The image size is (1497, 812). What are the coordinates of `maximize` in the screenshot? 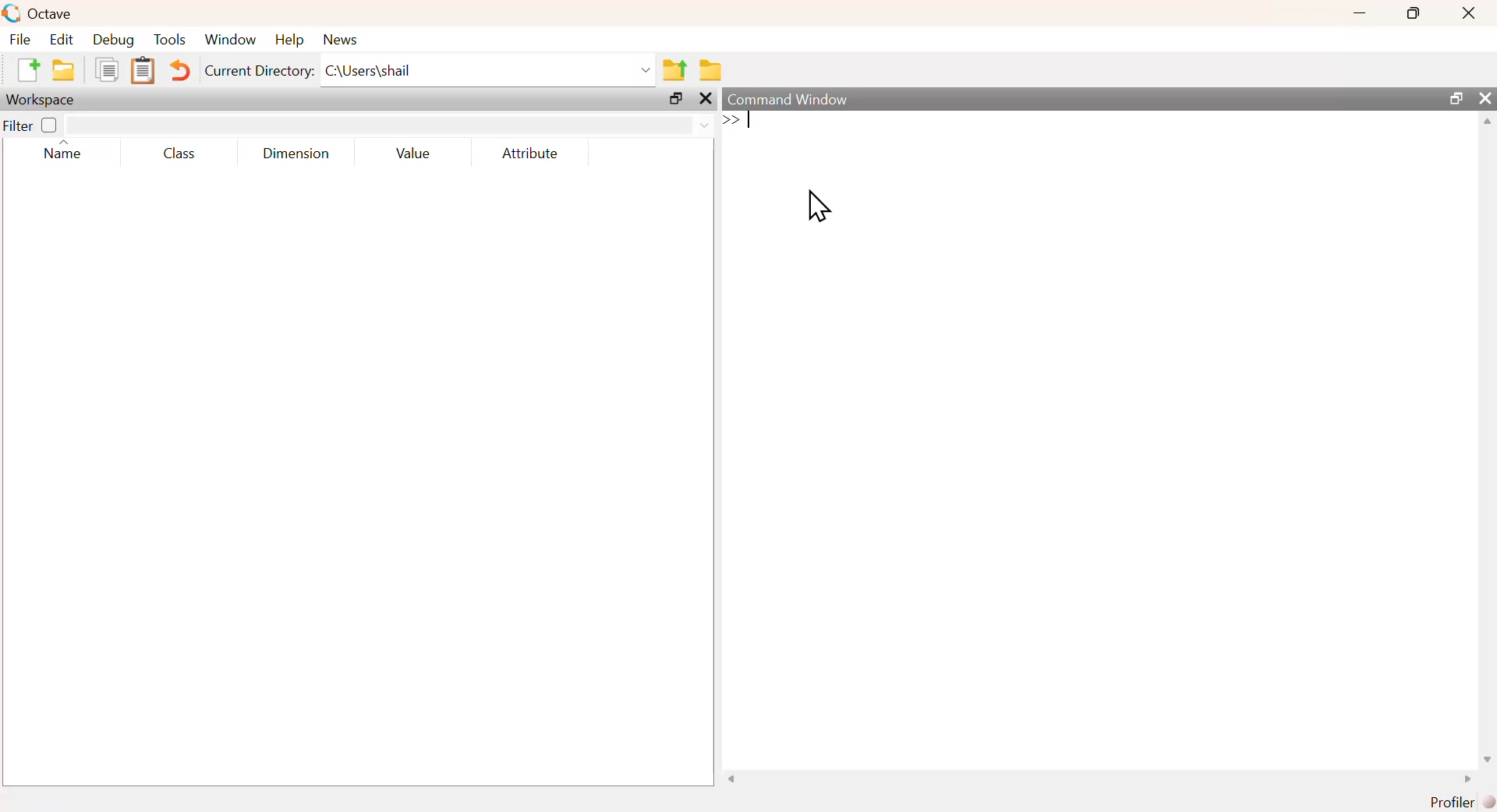 It's located at (1454, 97).